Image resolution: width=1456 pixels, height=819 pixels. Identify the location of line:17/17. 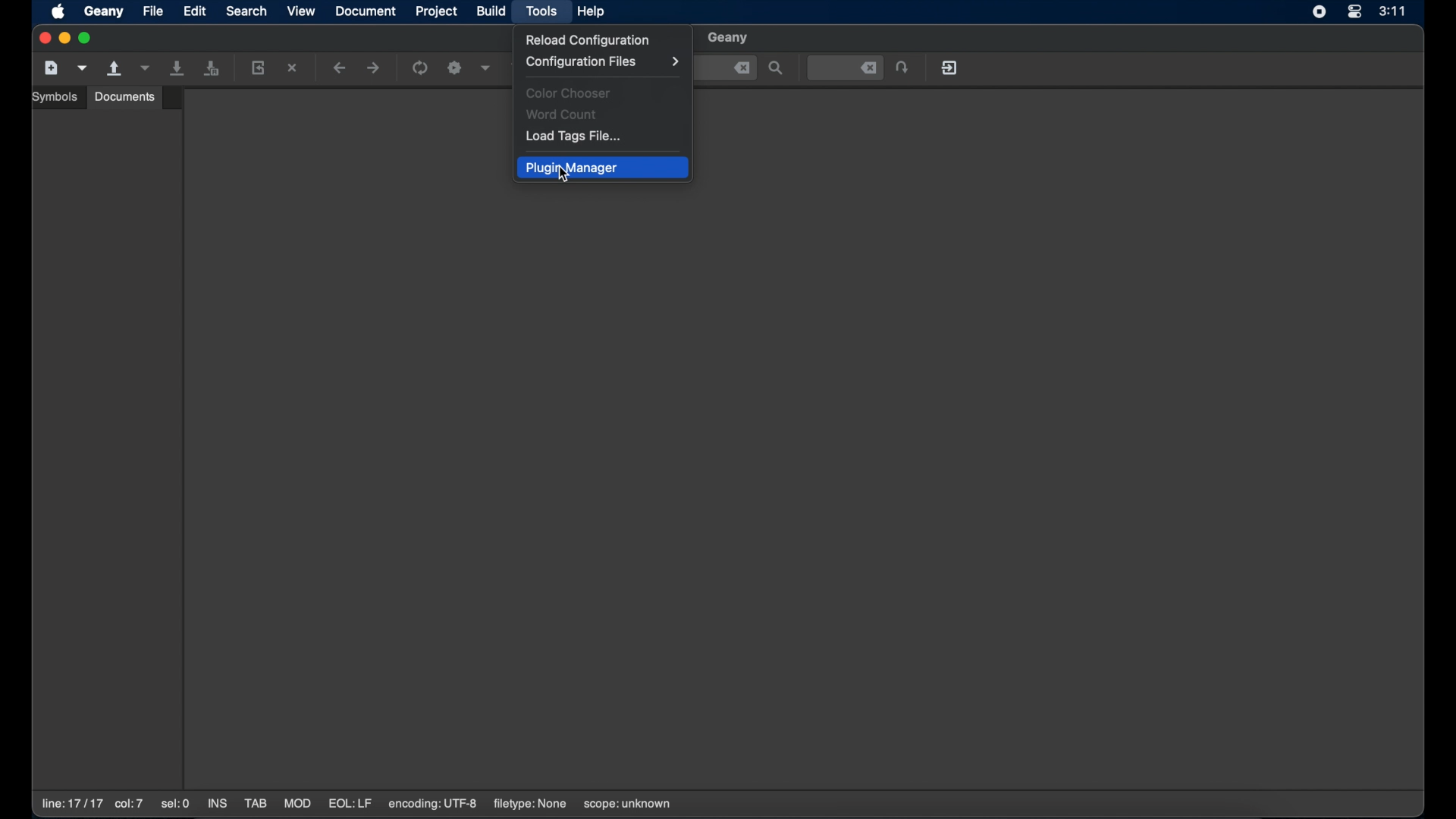
(71, 804).